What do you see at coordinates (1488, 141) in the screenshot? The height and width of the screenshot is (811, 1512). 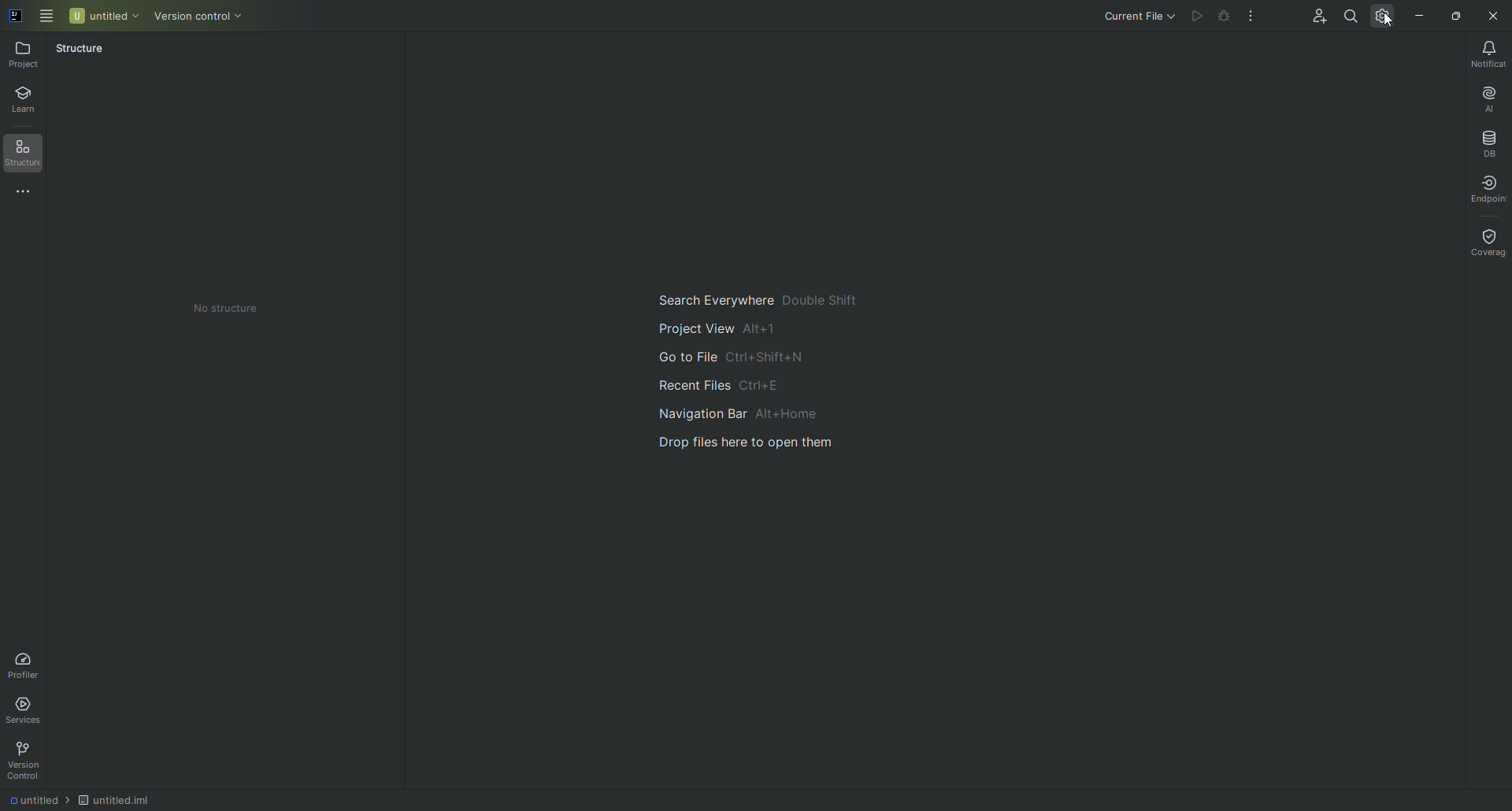 I see `Database` at bounding box center [1488, 141].